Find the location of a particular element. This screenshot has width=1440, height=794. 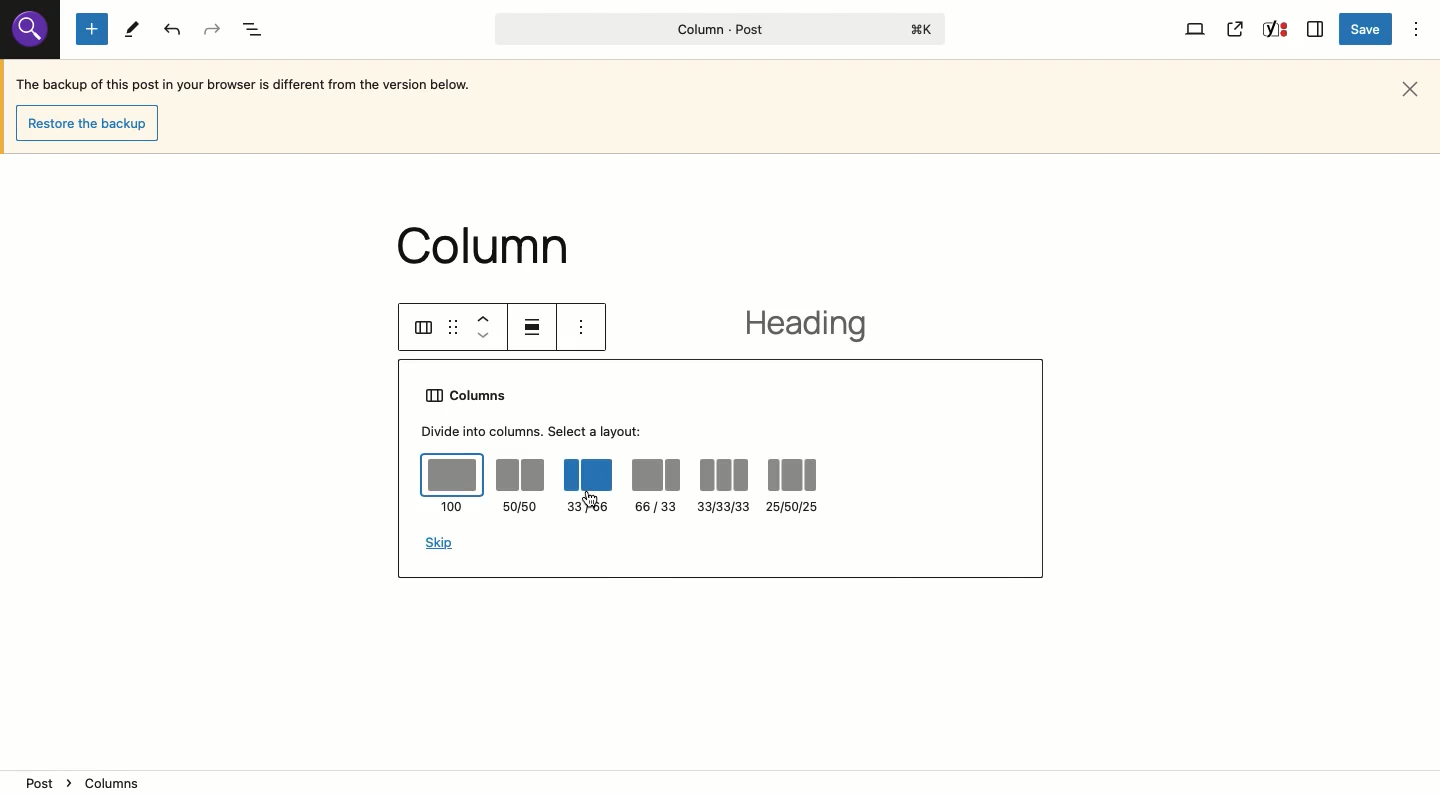

Restore the backup is located at coordinates (92, 124).